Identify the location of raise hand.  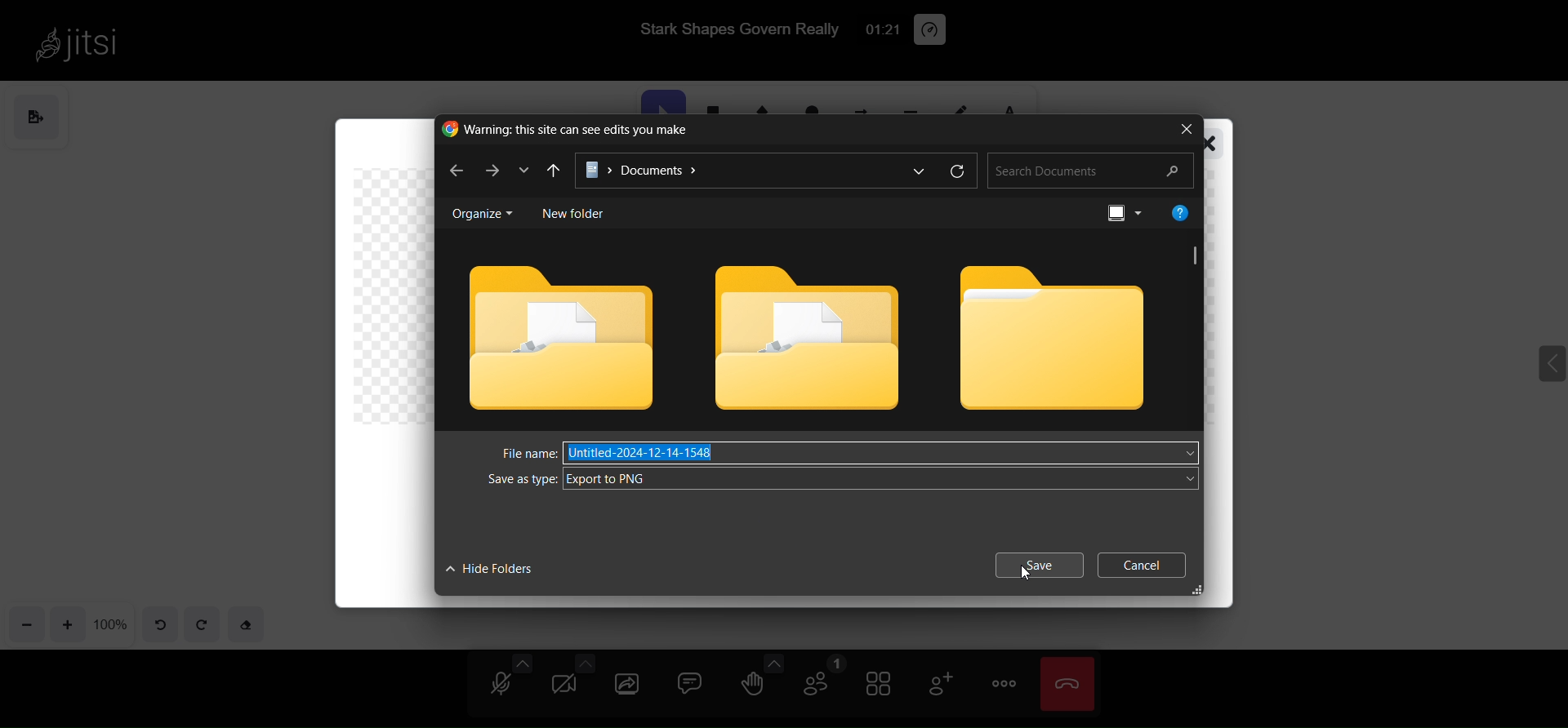
(751, 687).